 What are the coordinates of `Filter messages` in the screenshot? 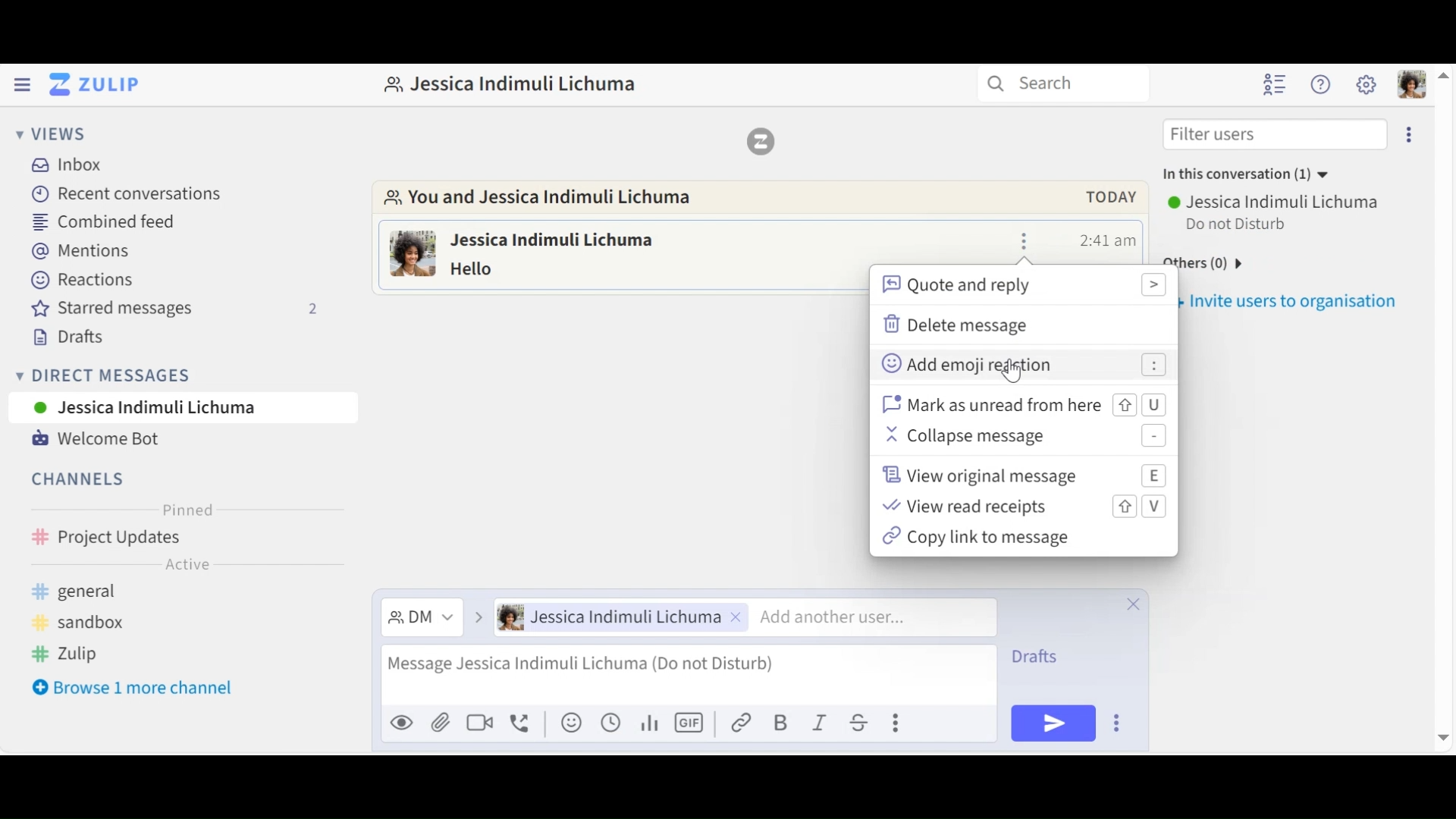 It's located at (421, 619).